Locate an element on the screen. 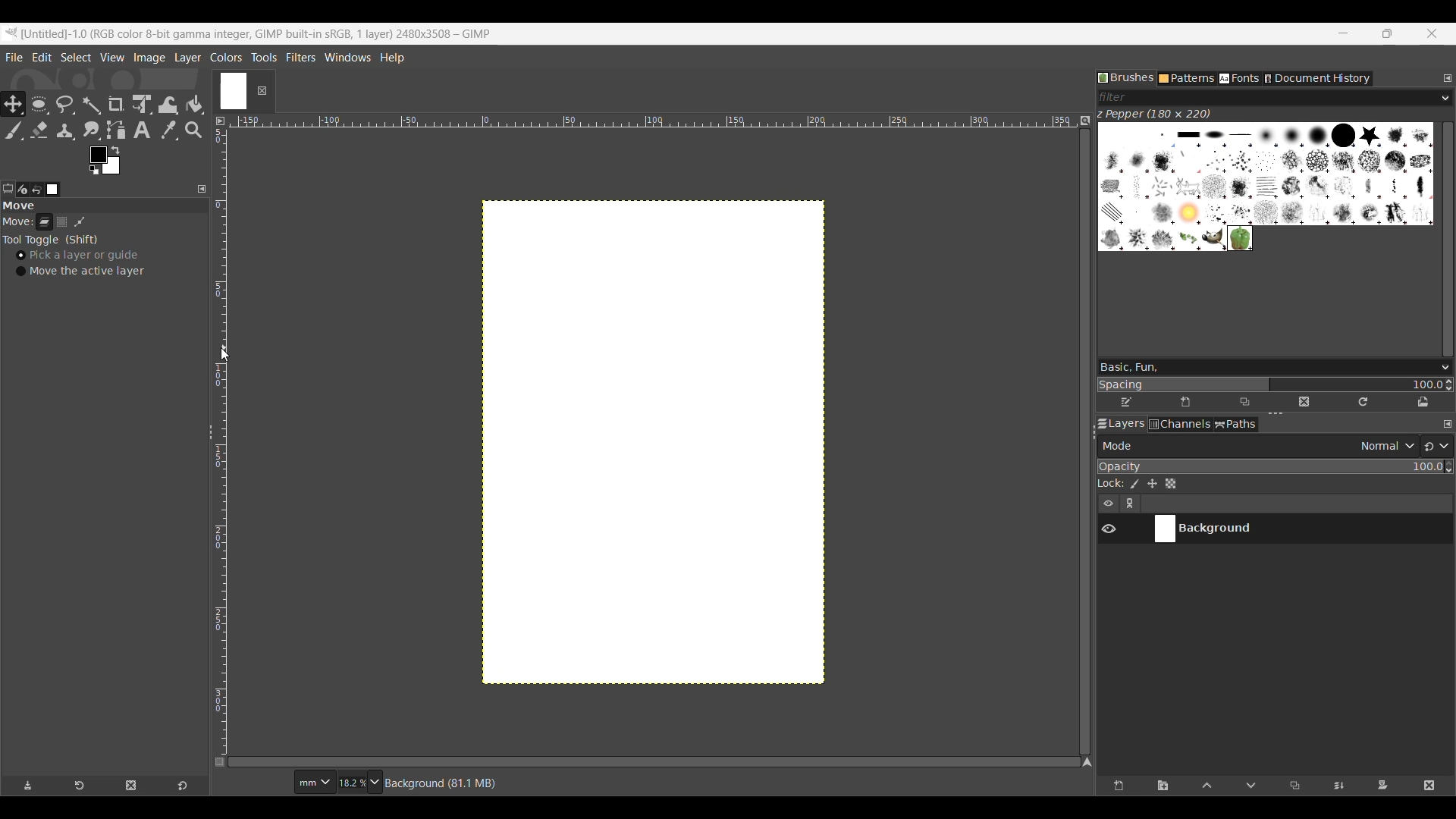 This screenshot has width=1456, height=819. Open brush as image is located at coordinates (1423, 403).